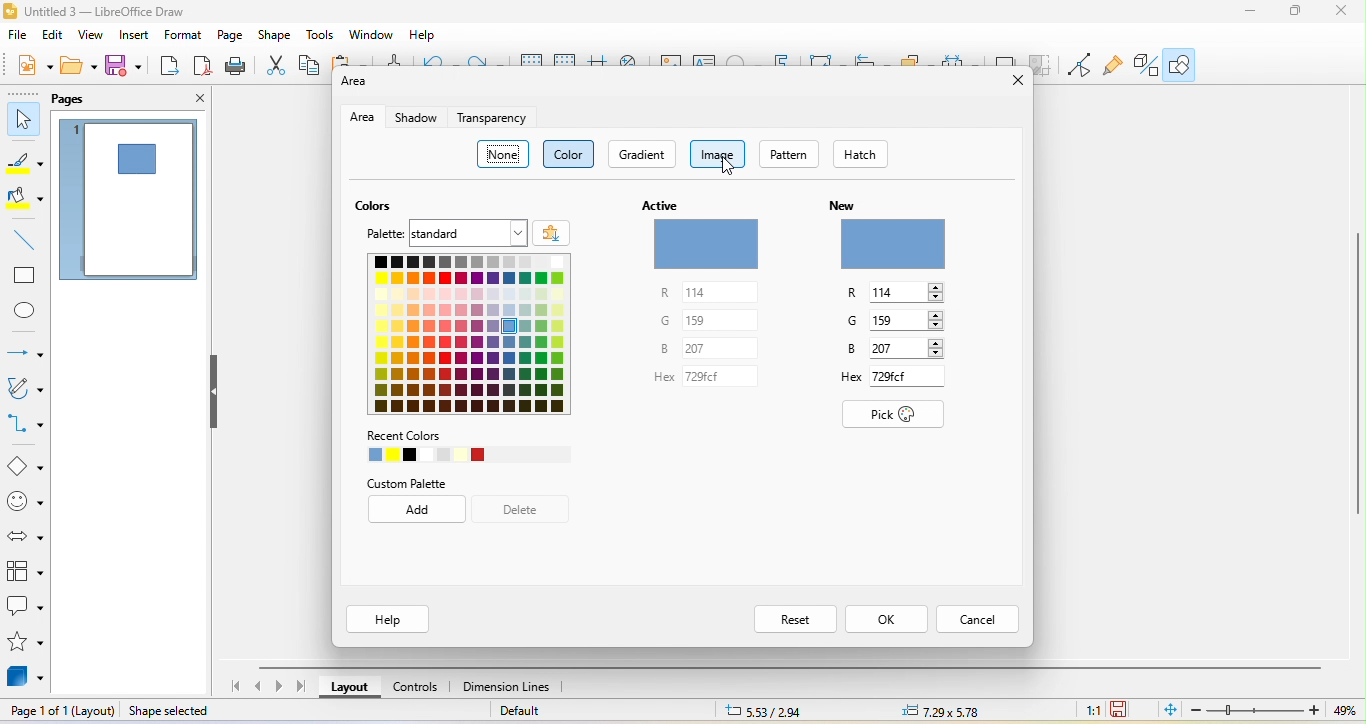 This screenshot has height=724, width=1366. What do you see at coordinates (794, 666) in the screenshot?
I see `horizontal scroll bar` at bounding box center [794, 666].